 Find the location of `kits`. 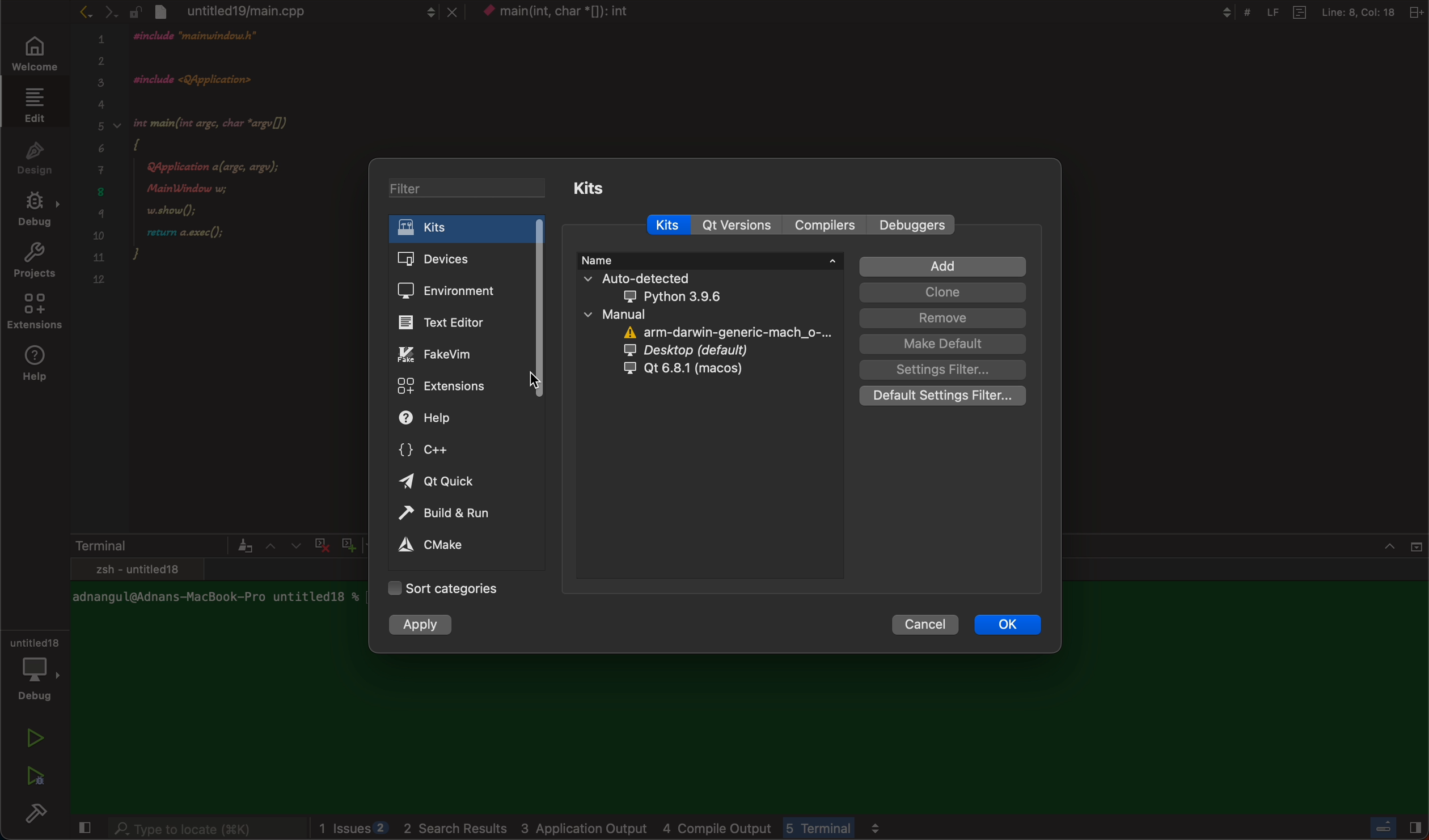

kits is located at coordinates (595, 189).